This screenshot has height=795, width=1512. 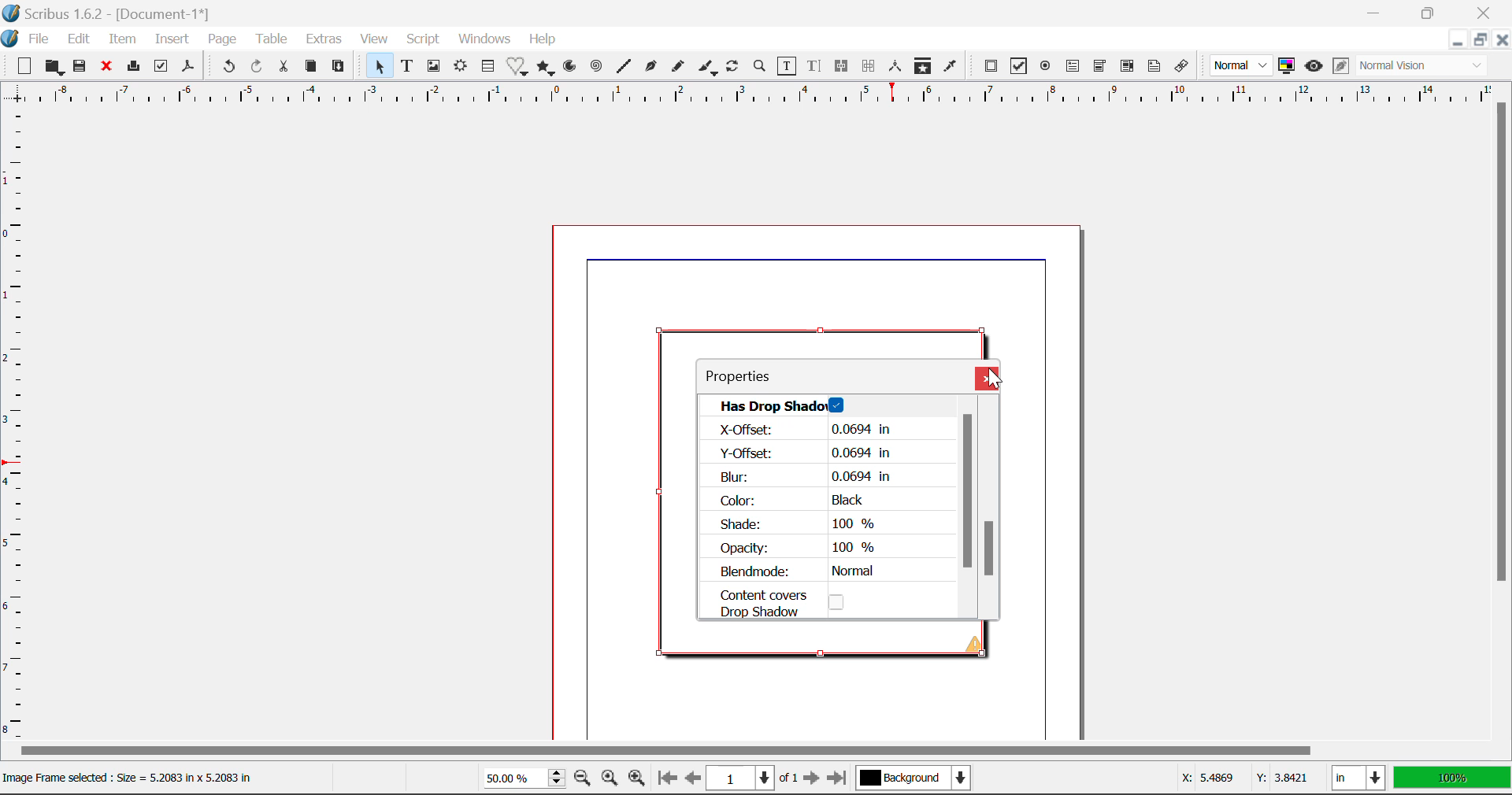 I want to click on Properties , so click(x=756, y=377).